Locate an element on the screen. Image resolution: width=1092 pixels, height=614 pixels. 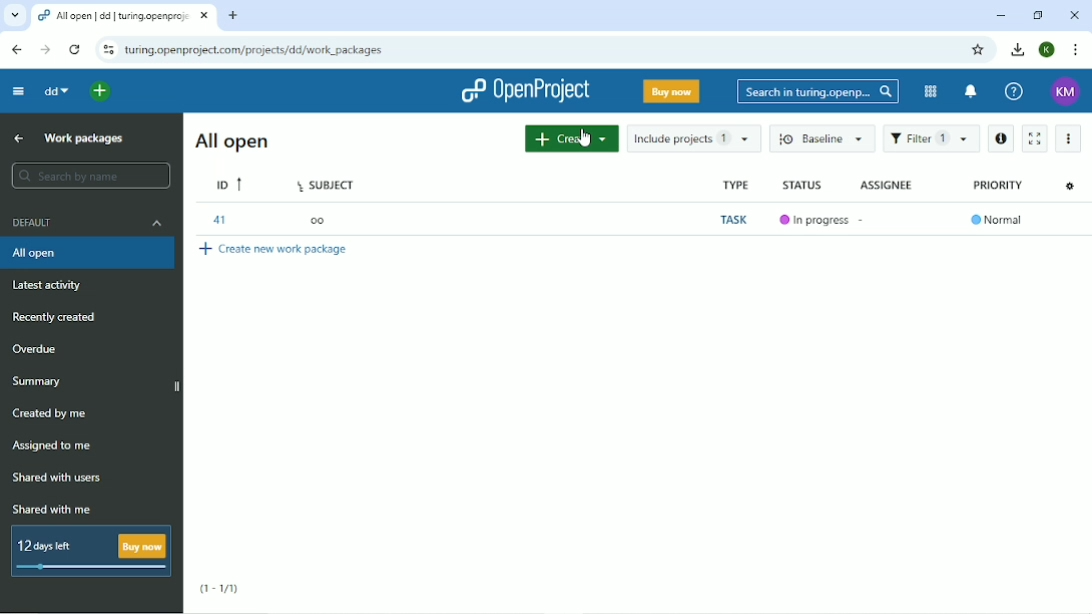
ID is located at coordinates (231, 184).